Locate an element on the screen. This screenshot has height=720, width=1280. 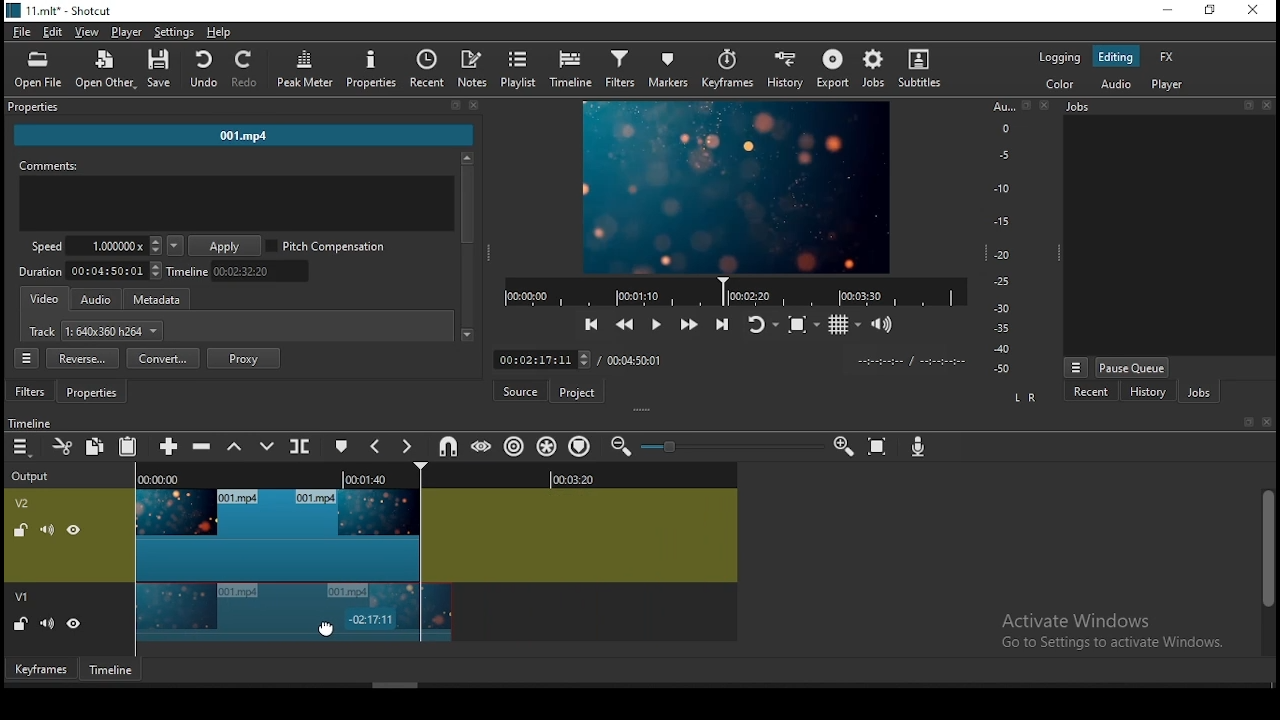
view is located at coordinates (87, 33).